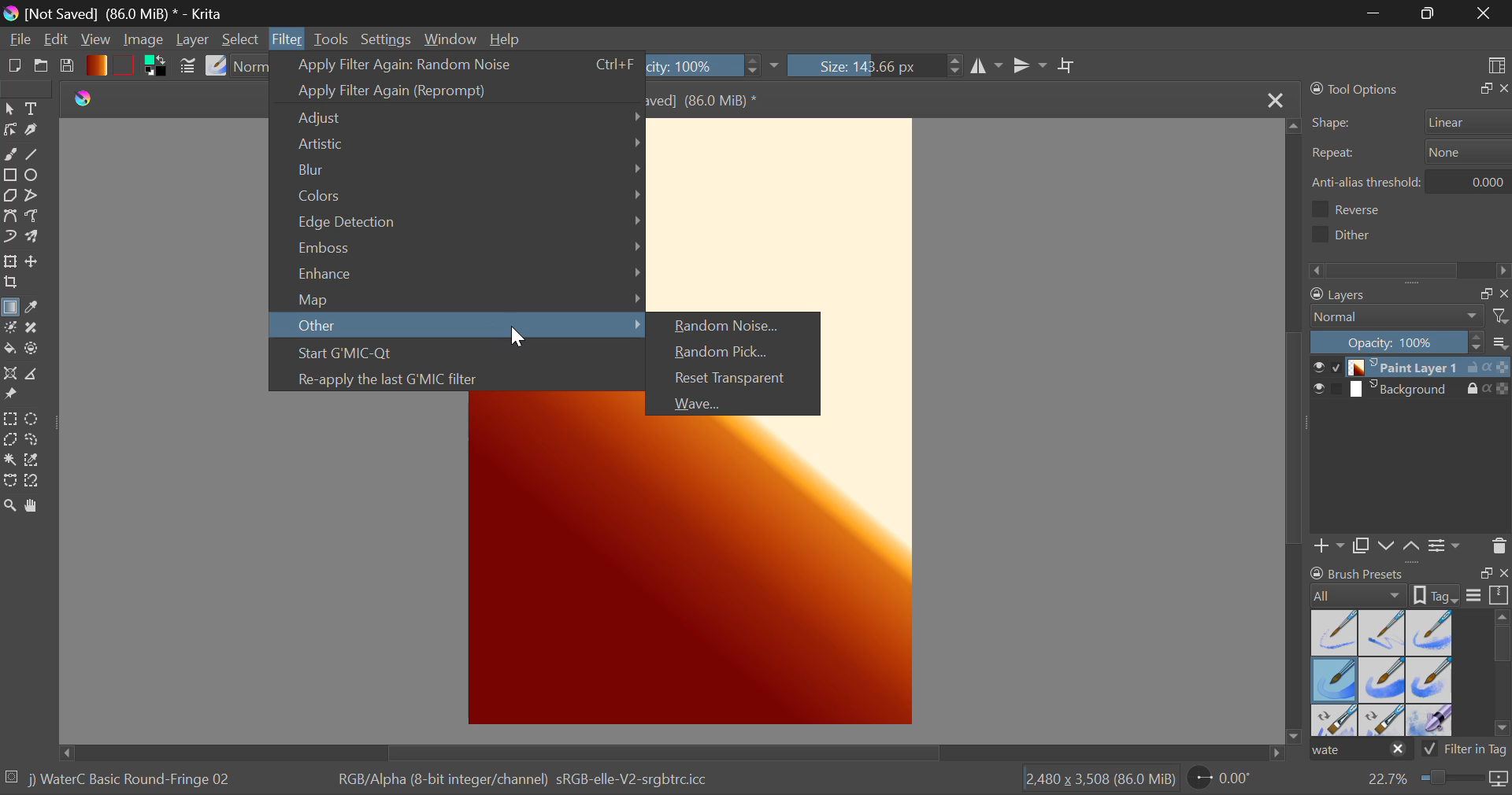 This screenshot has height=795, width=1512. I want to click on layers, so click(1382, 296).